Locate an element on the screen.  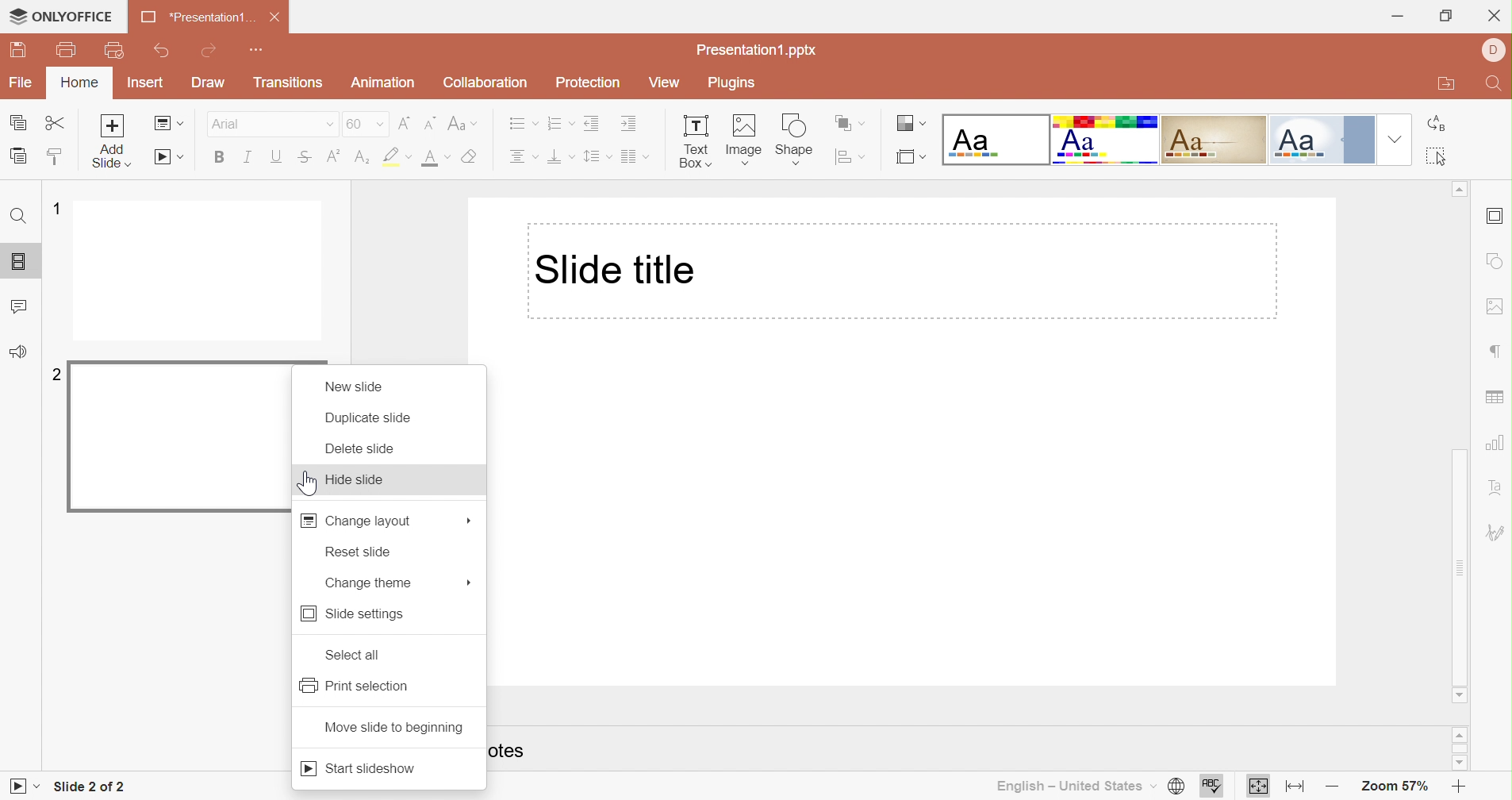
Bullets is located at coordinates (520, 123).